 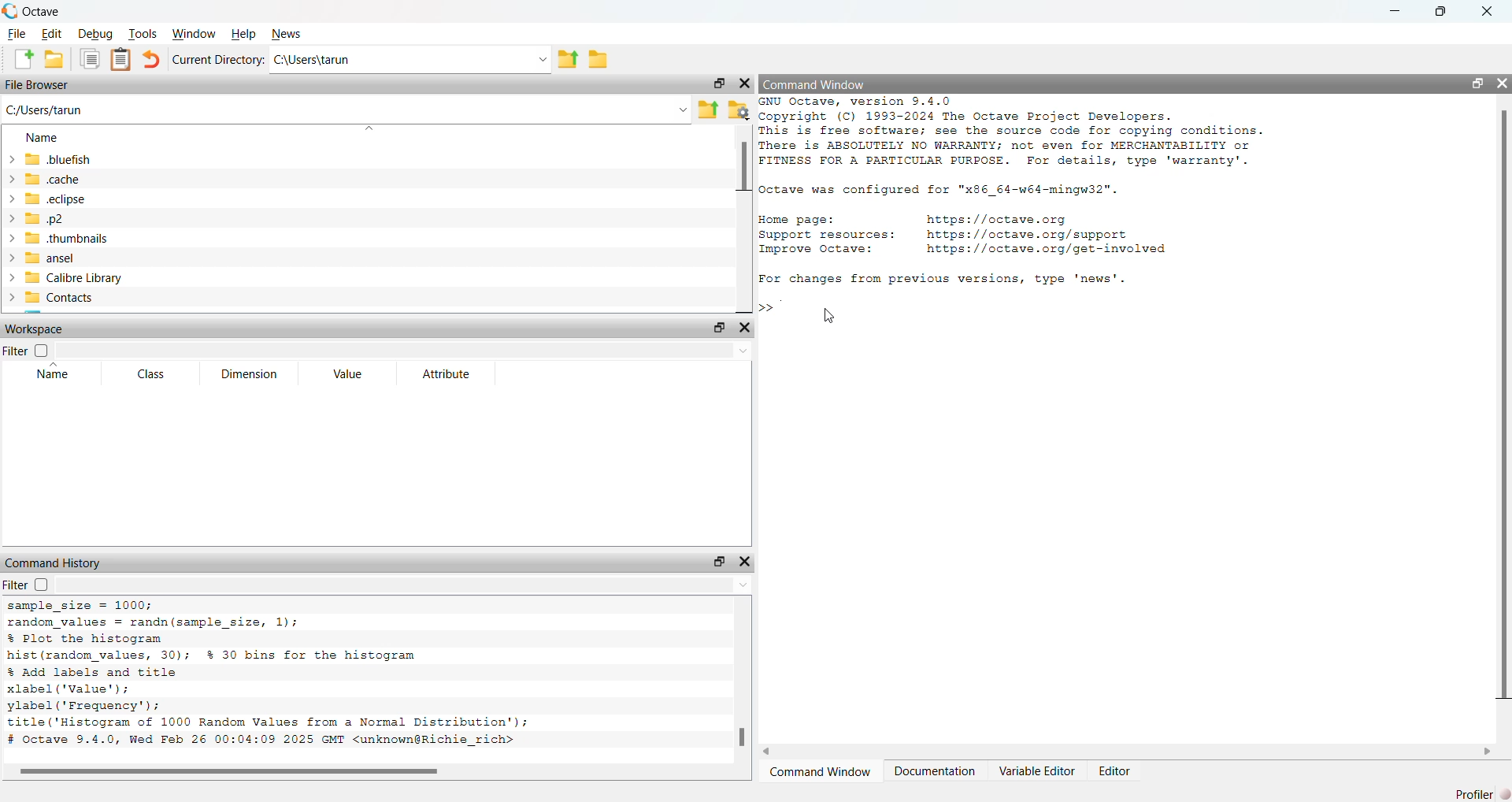 What do you see at coordinates (57, 239) in the screenshot?
I see `.thumbnails` at bounding box center [57, 239].